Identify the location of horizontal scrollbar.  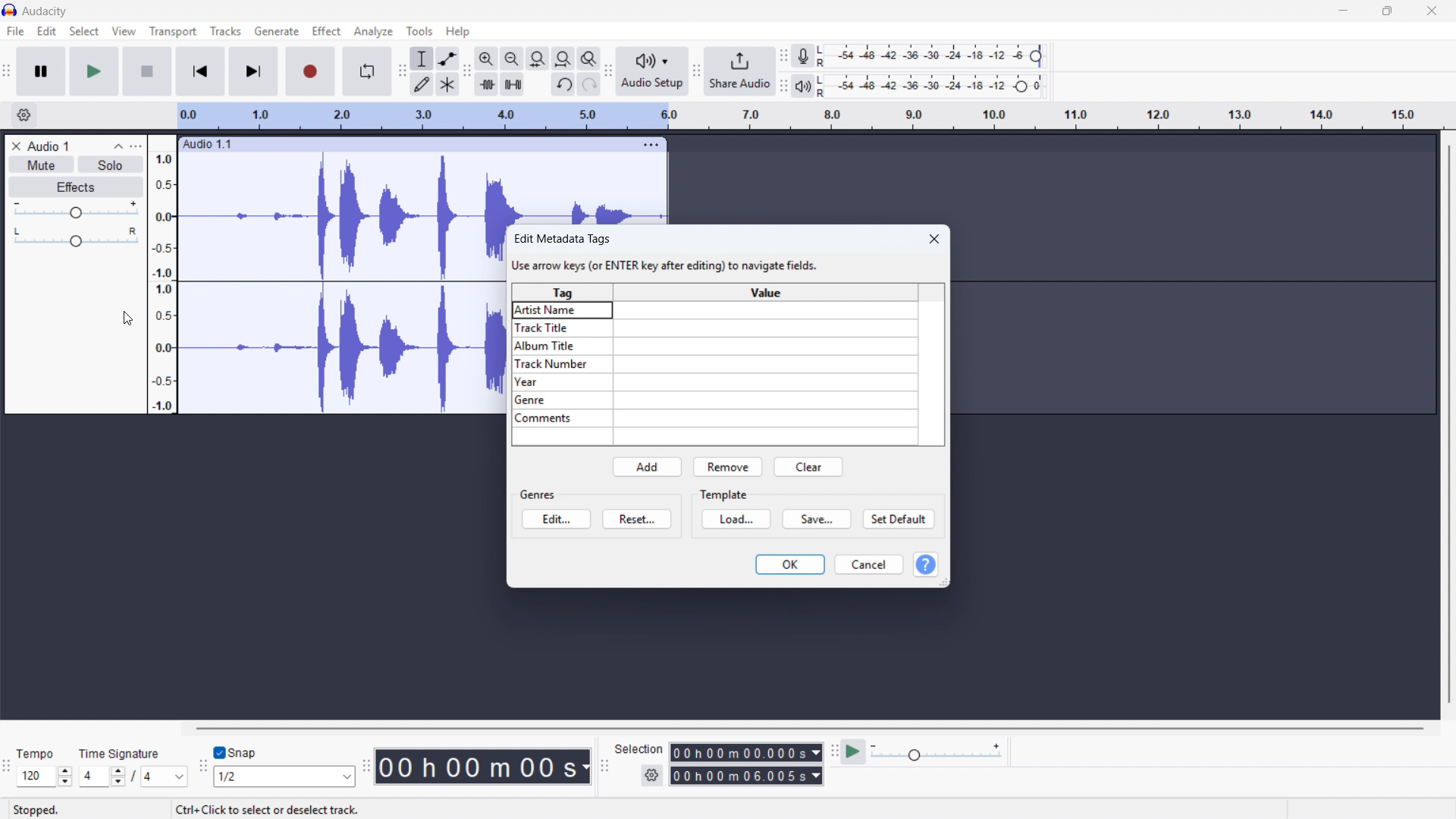
(812, 728).